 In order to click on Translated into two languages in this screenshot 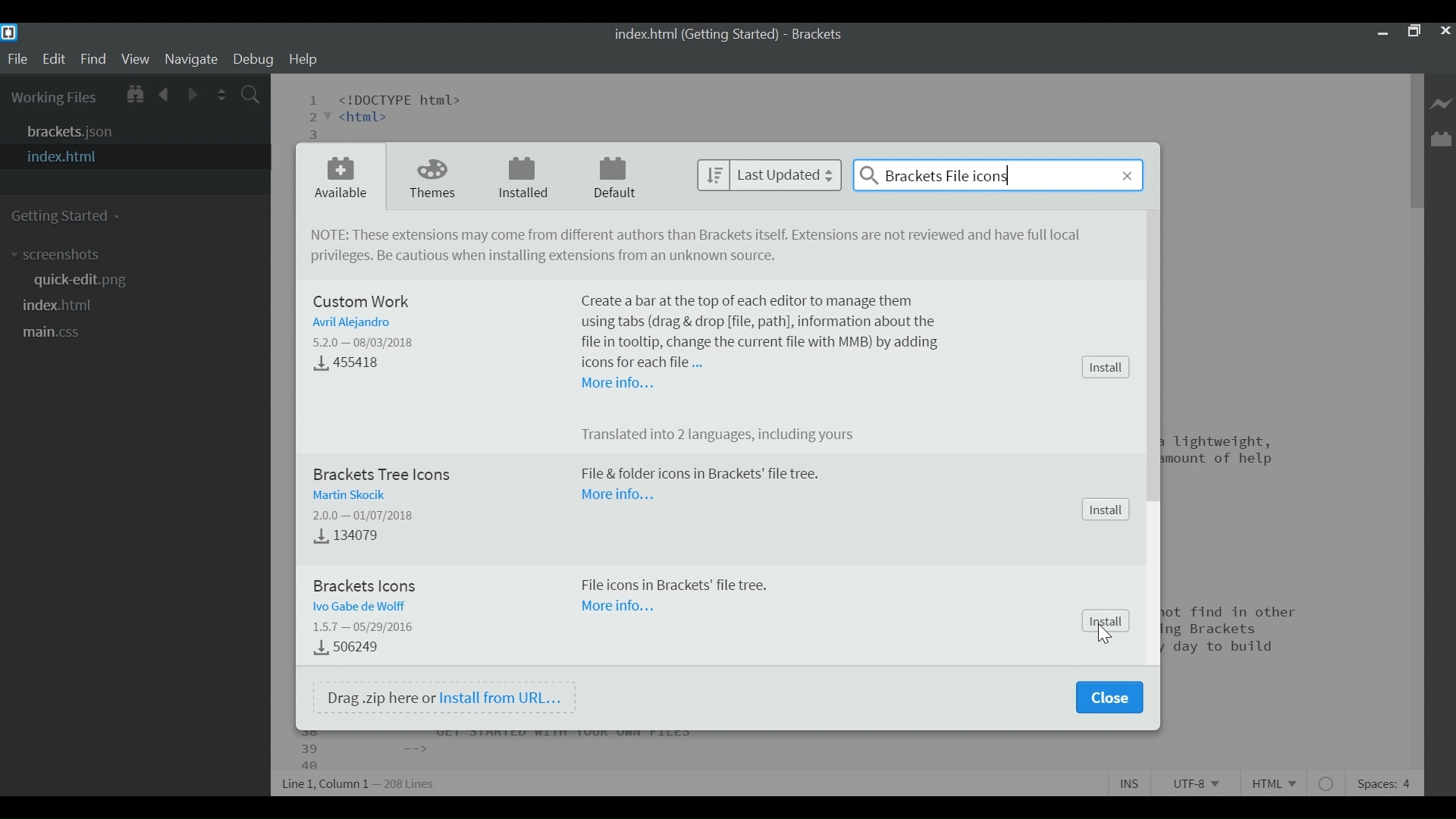, I will do `click(727, 436)`.